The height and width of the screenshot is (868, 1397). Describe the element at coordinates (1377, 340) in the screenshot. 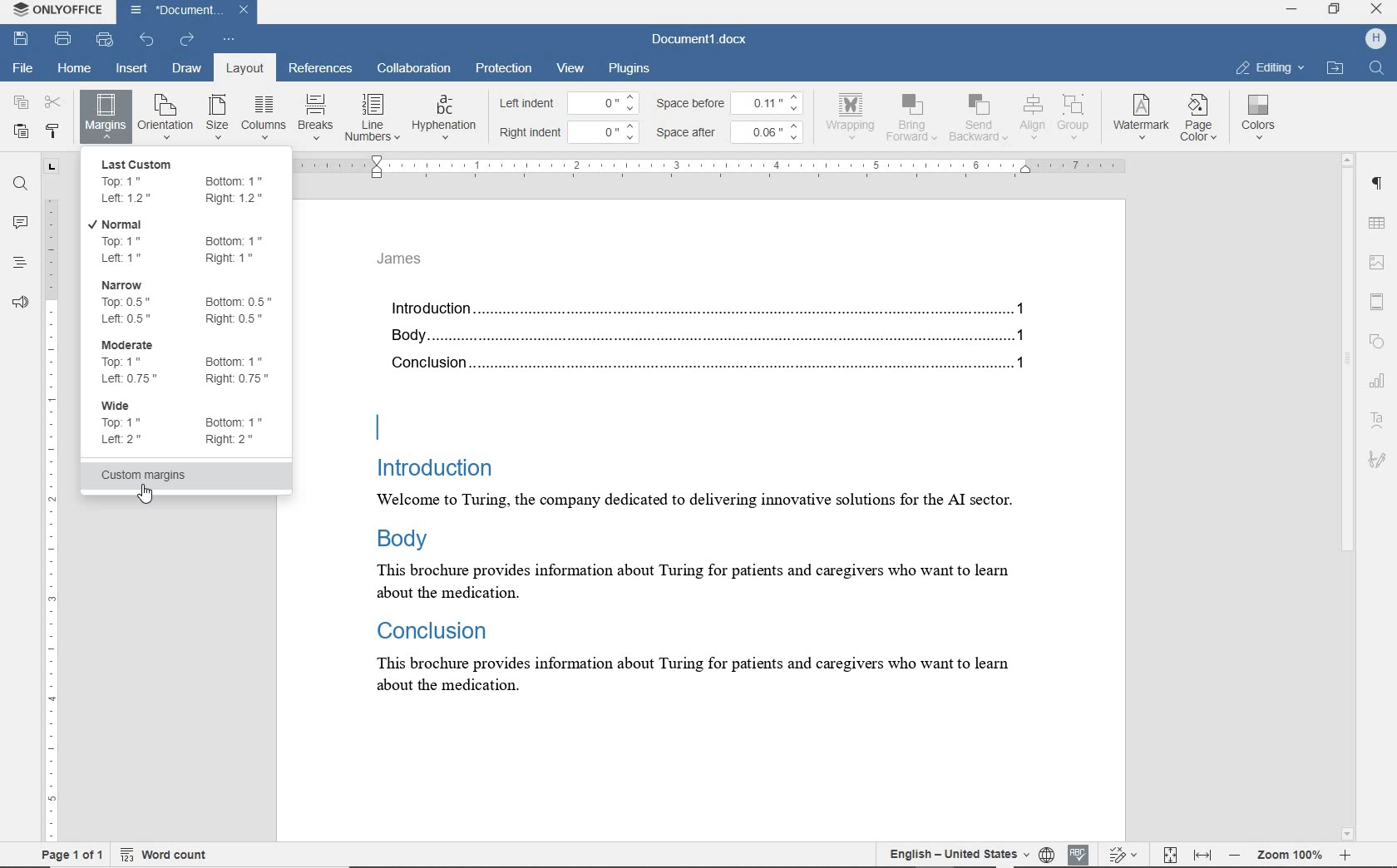

I see `shape` at that location.